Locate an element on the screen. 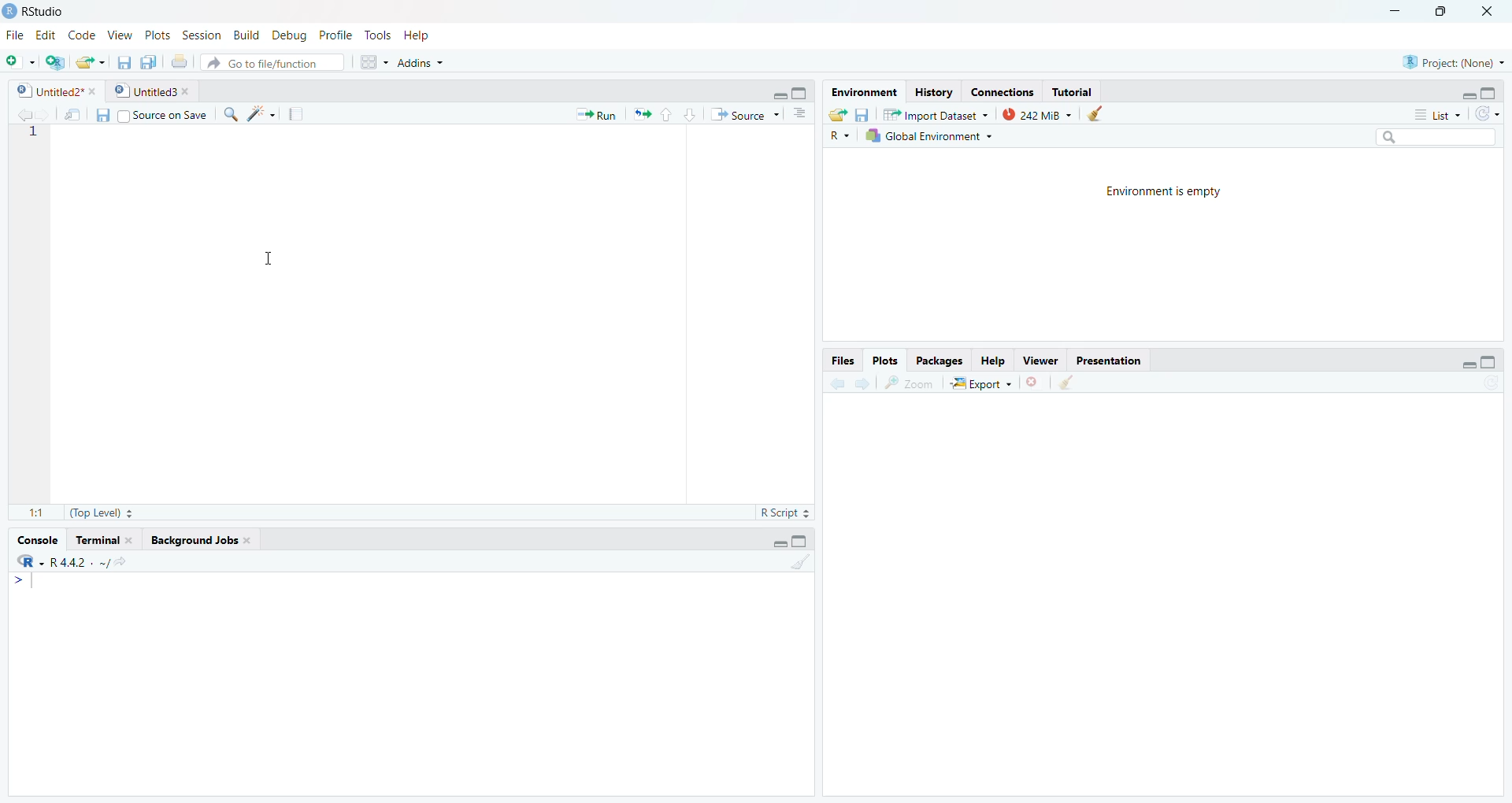 The height and width of the screenshot is (803, 1512). view current working directory is located at coordinates (120, 561).